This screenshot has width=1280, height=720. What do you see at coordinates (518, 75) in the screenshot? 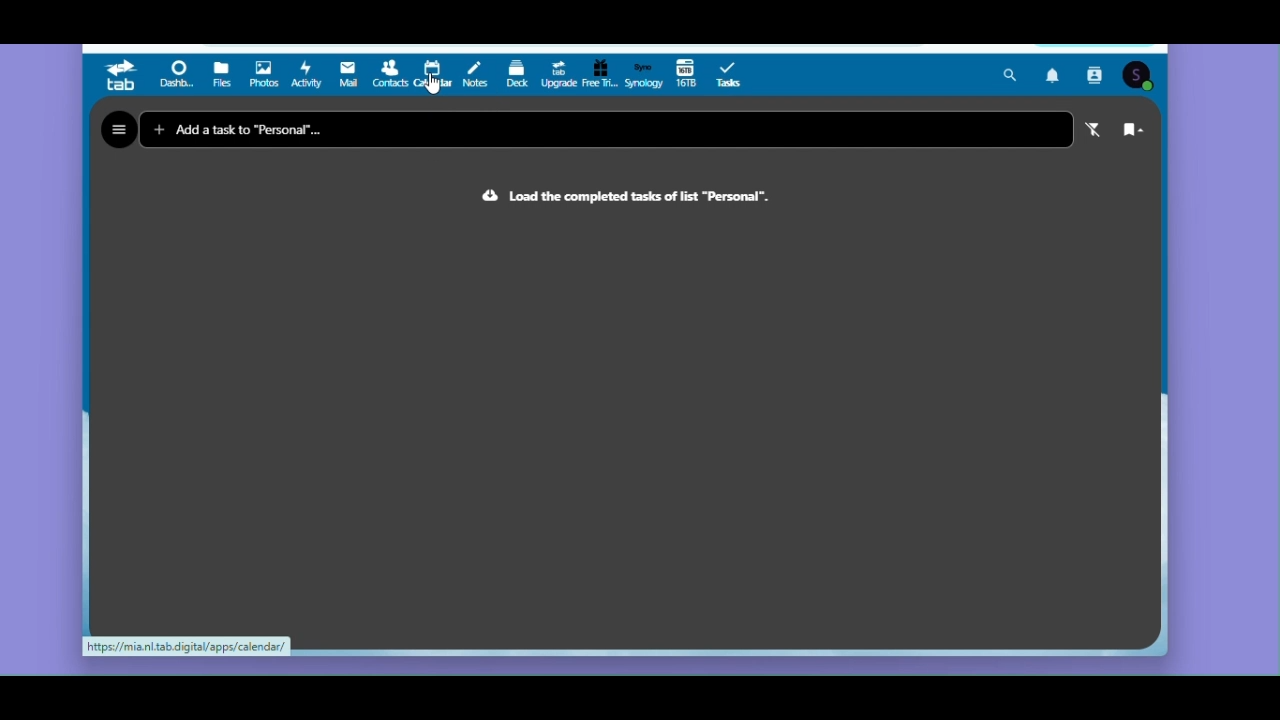
I see `Deck` at bounding box center [518, 75].